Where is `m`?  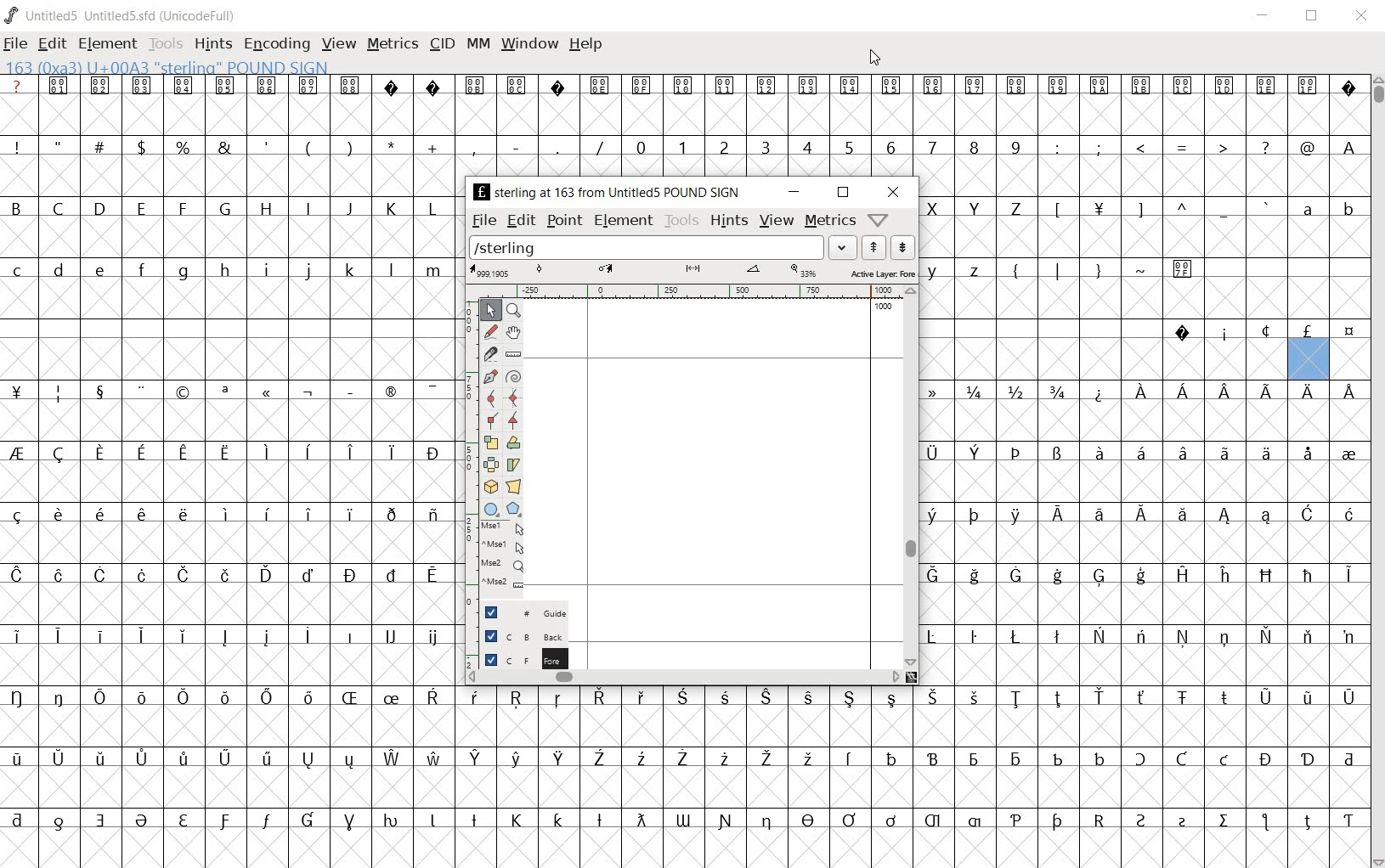
m is located at coordinates (433, 270).